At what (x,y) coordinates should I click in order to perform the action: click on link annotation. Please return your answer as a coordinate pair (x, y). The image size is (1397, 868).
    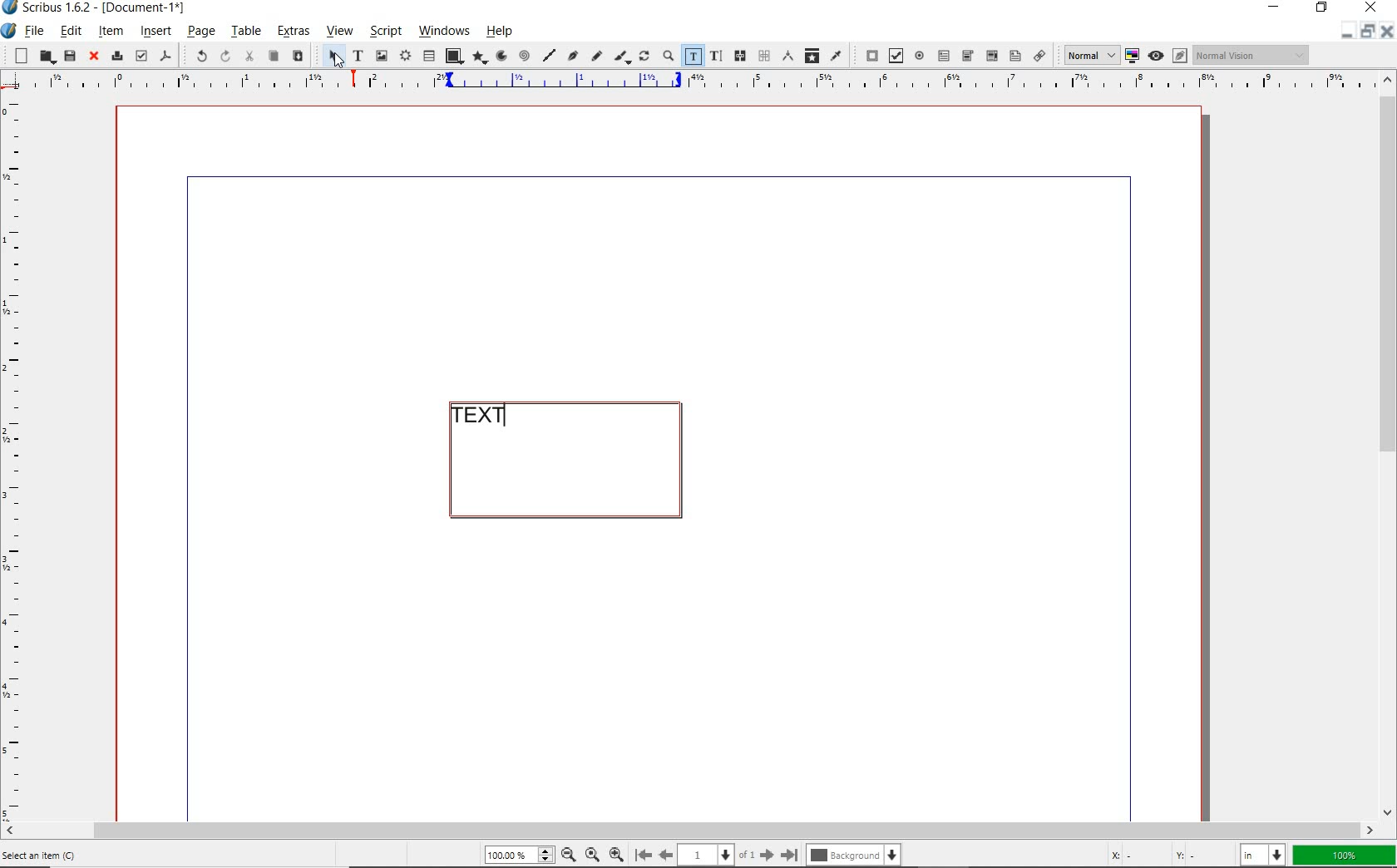
    Looking at the image, I should click on (1041, 57).